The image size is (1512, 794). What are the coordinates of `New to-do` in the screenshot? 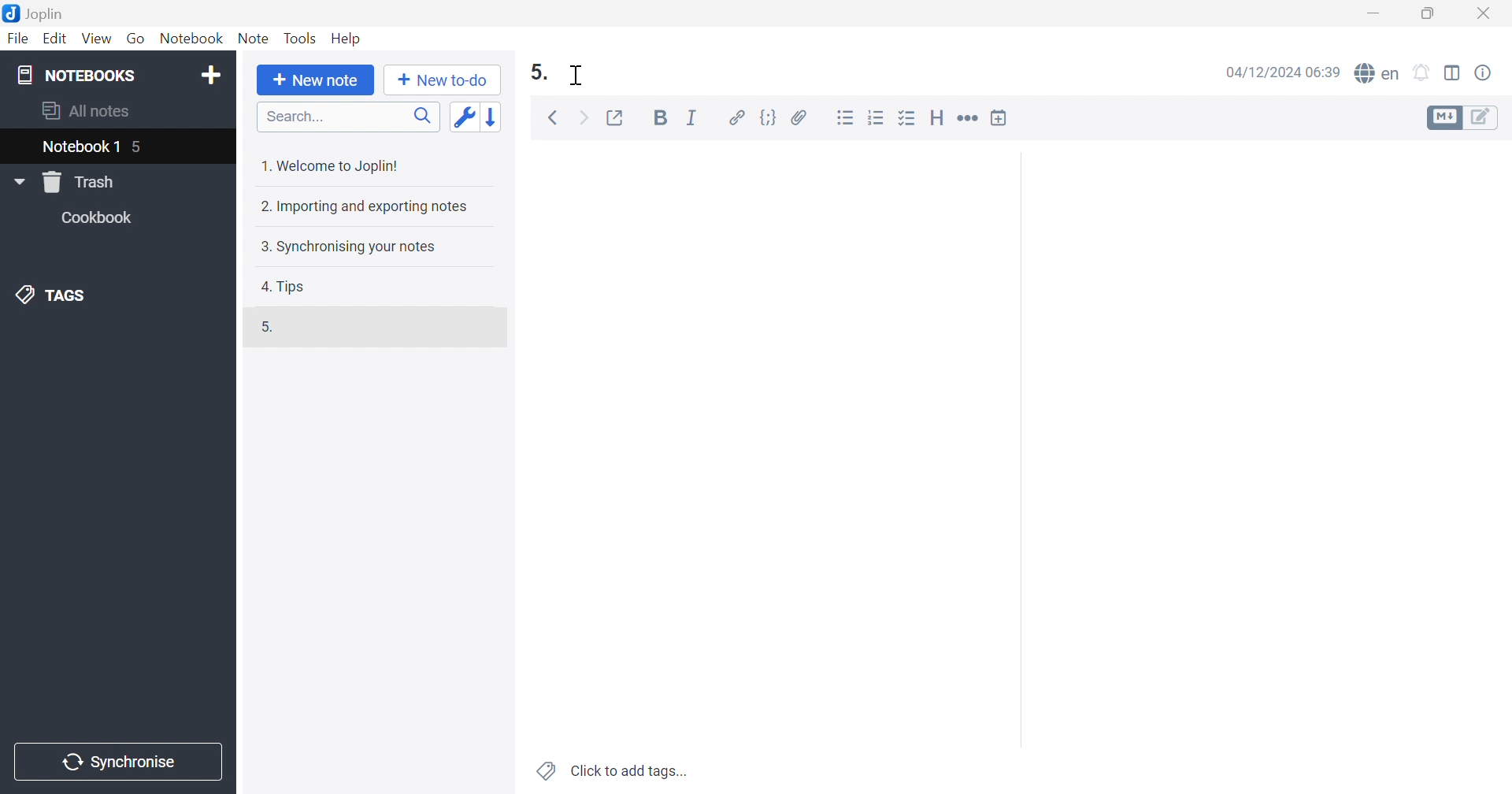 It's located at (443, 80).